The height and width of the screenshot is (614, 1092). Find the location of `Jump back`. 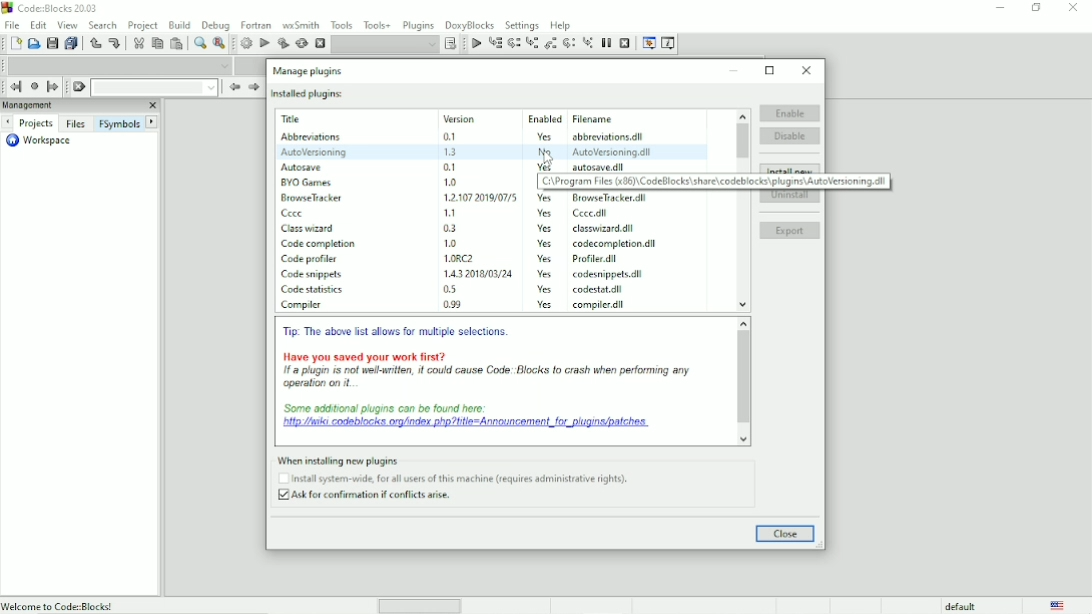

Jump back is located at coordinates (16, 86).